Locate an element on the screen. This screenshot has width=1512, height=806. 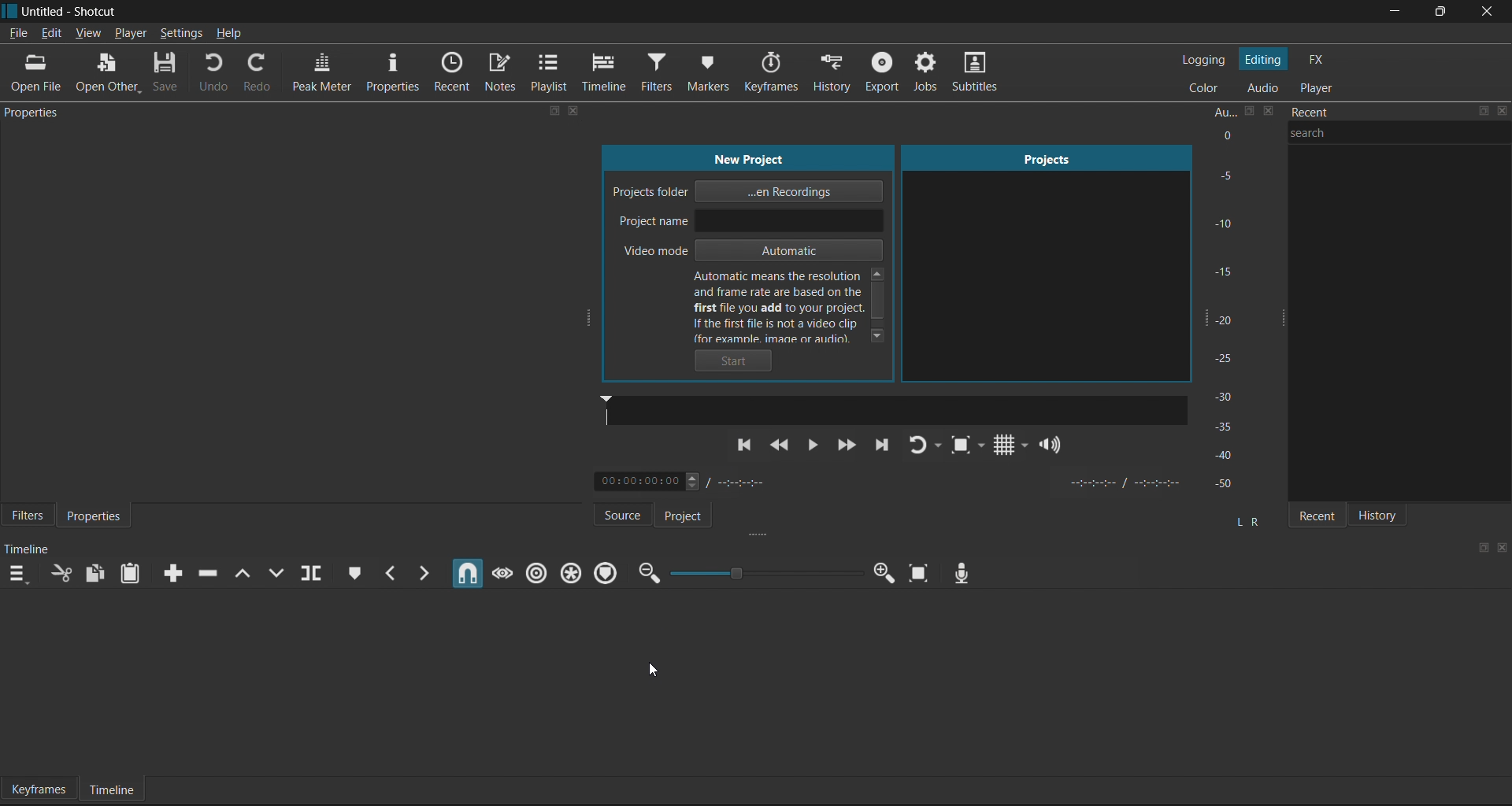
Notes is located at coordinates (502, 75).